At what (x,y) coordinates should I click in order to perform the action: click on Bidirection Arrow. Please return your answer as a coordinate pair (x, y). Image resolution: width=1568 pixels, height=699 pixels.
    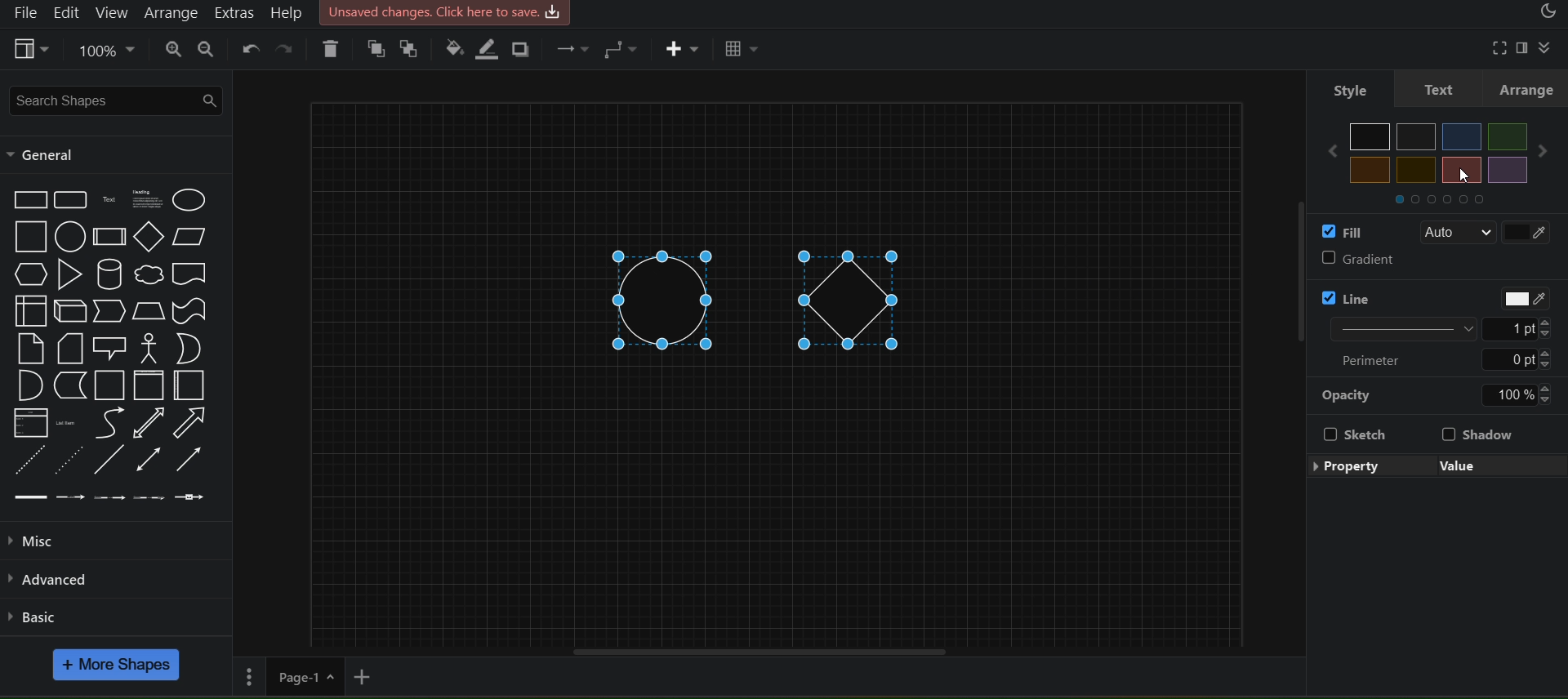
    Looking at the image, I should click on (148, 422).